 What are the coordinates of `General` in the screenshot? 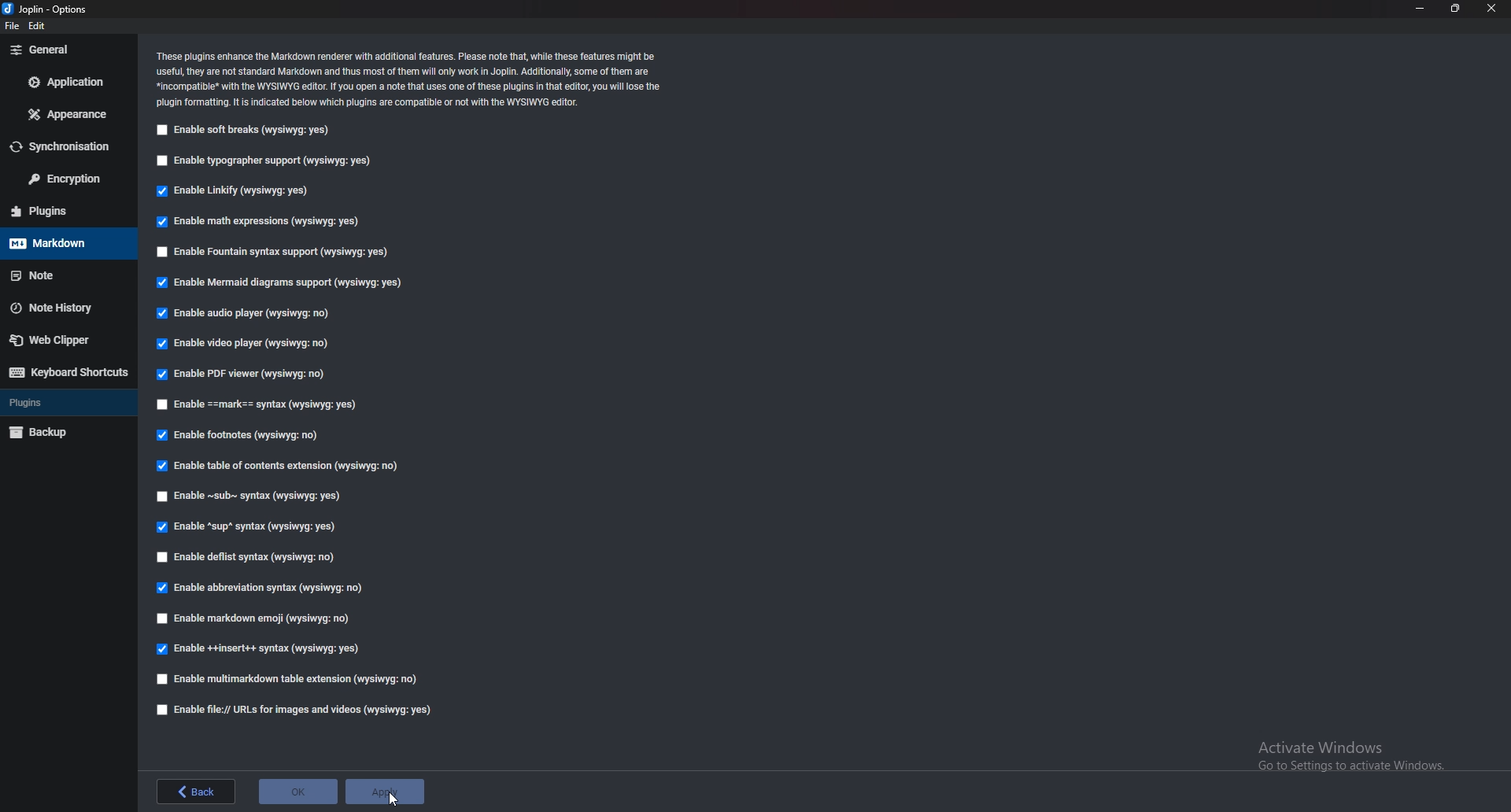 It's located at (68, 50).